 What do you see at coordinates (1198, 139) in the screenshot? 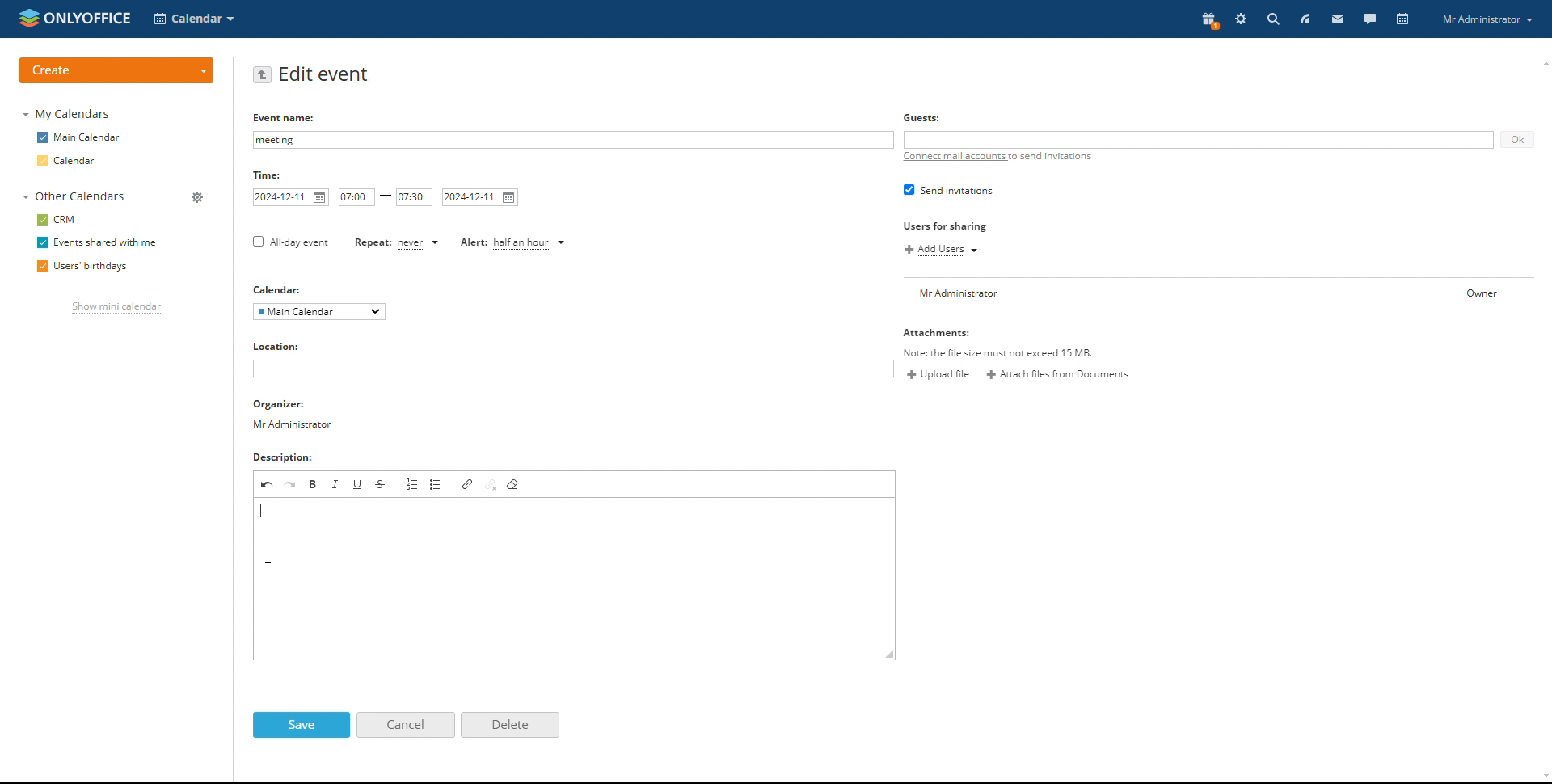
I see `add guests` at bounding box center [1198, 139].